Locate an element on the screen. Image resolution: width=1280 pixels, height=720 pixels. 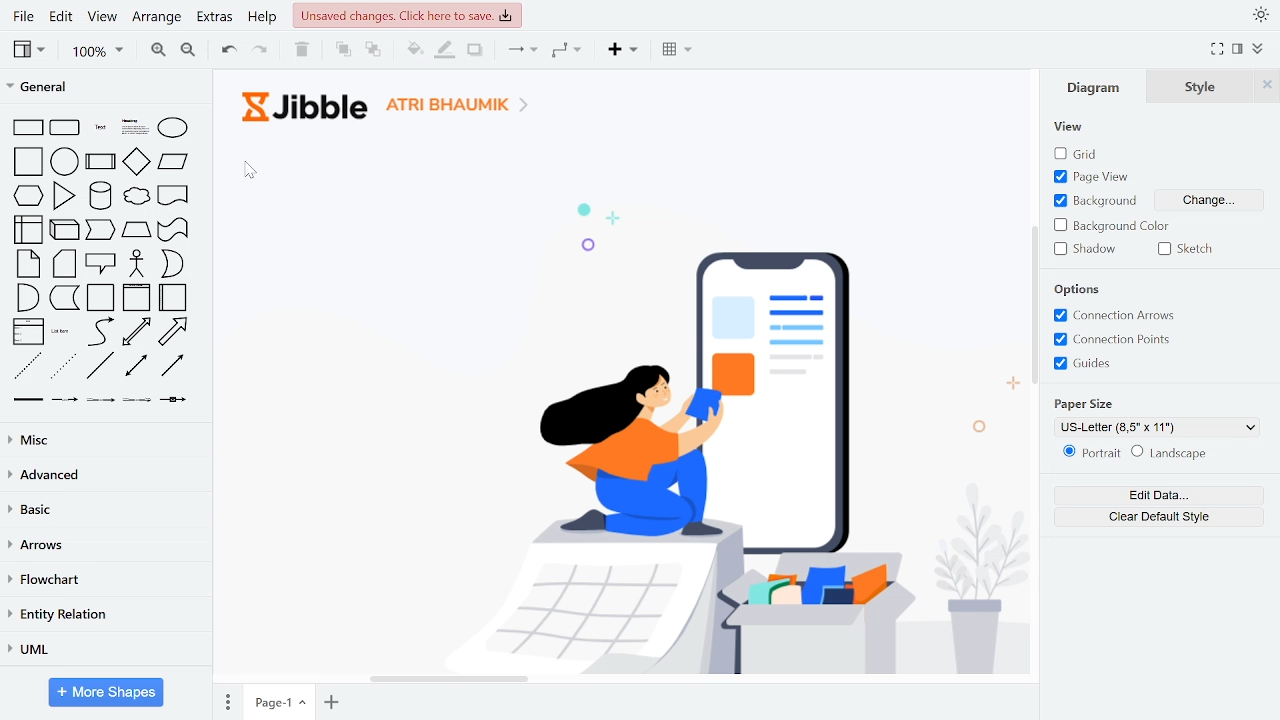
full screen is located at coordinates (1219, 49).